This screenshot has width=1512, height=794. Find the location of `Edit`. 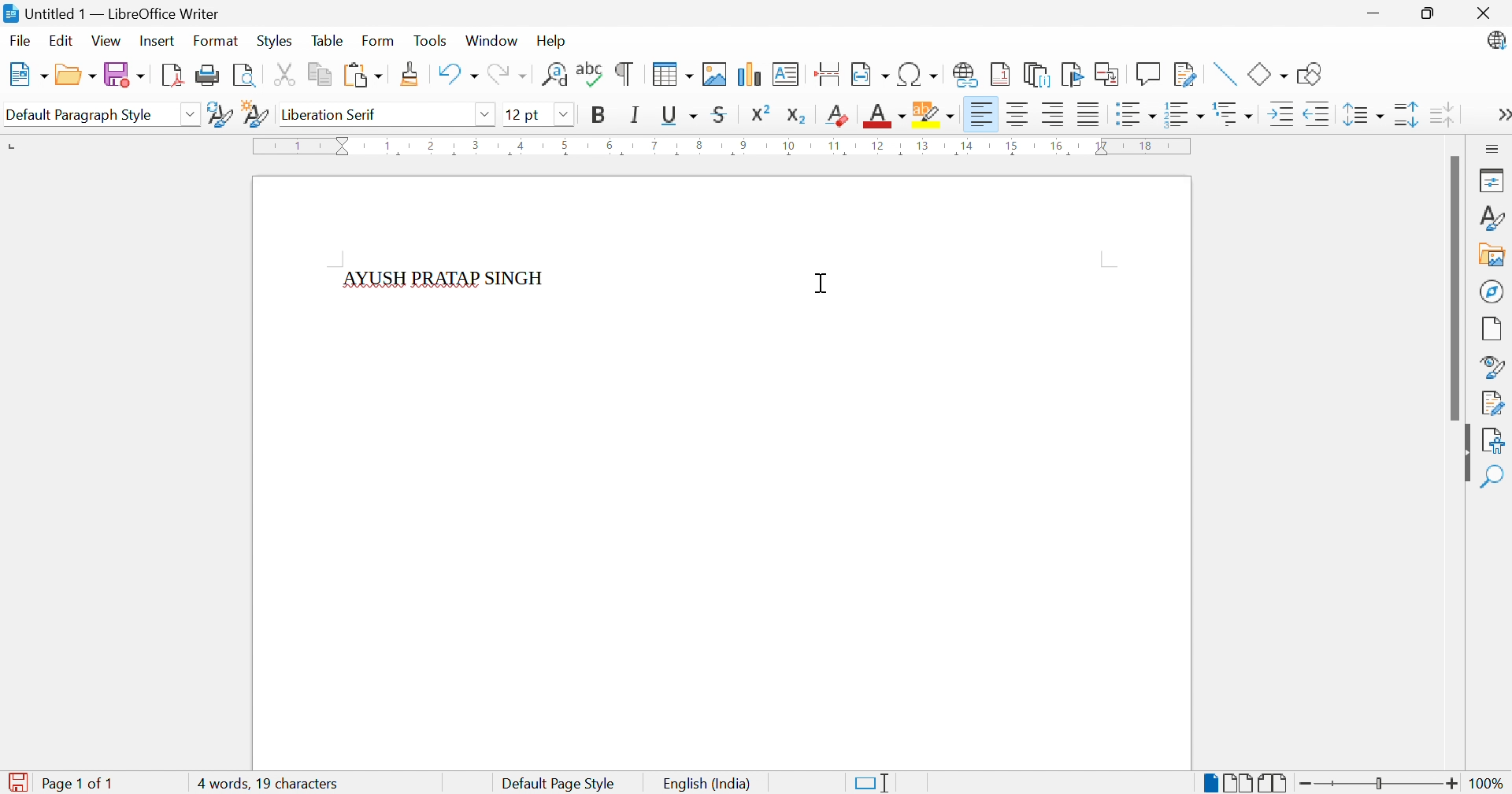

Edit is located at coordinates (65, 43).